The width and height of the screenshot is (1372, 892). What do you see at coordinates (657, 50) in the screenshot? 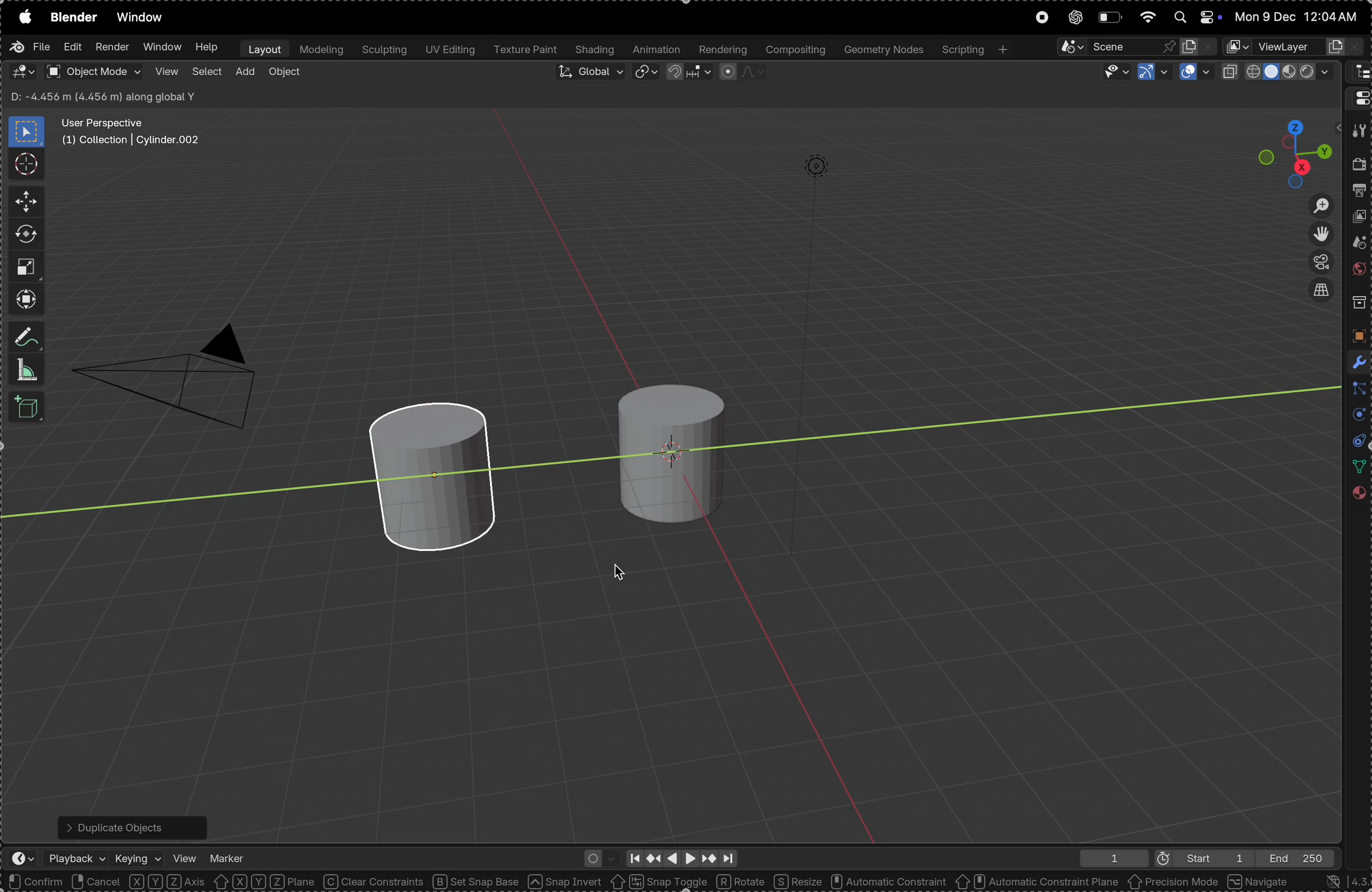
I see `Animation` at bounding box center [657, 50].